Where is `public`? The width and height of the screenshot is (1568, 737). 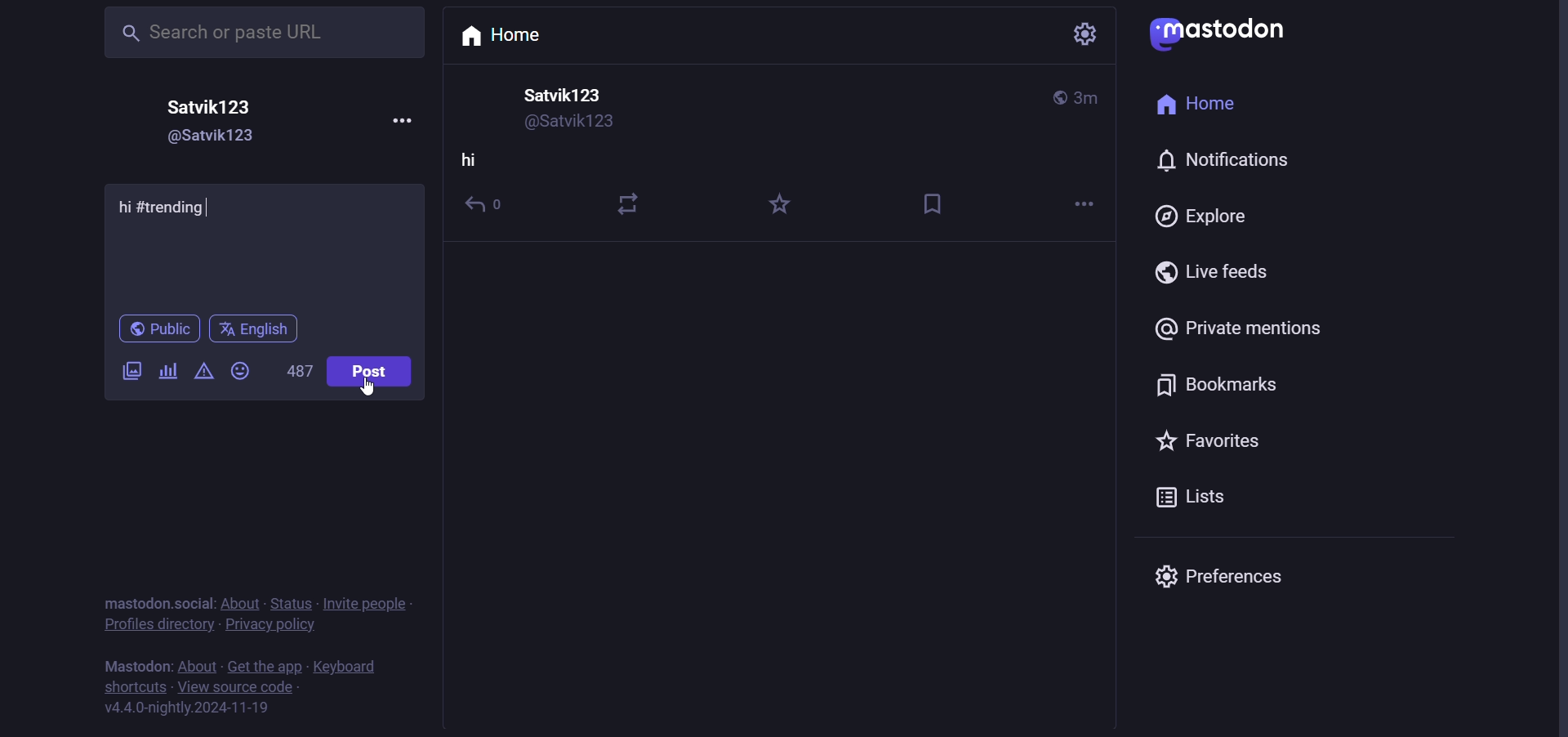 public is located at coordinates (156, 329).